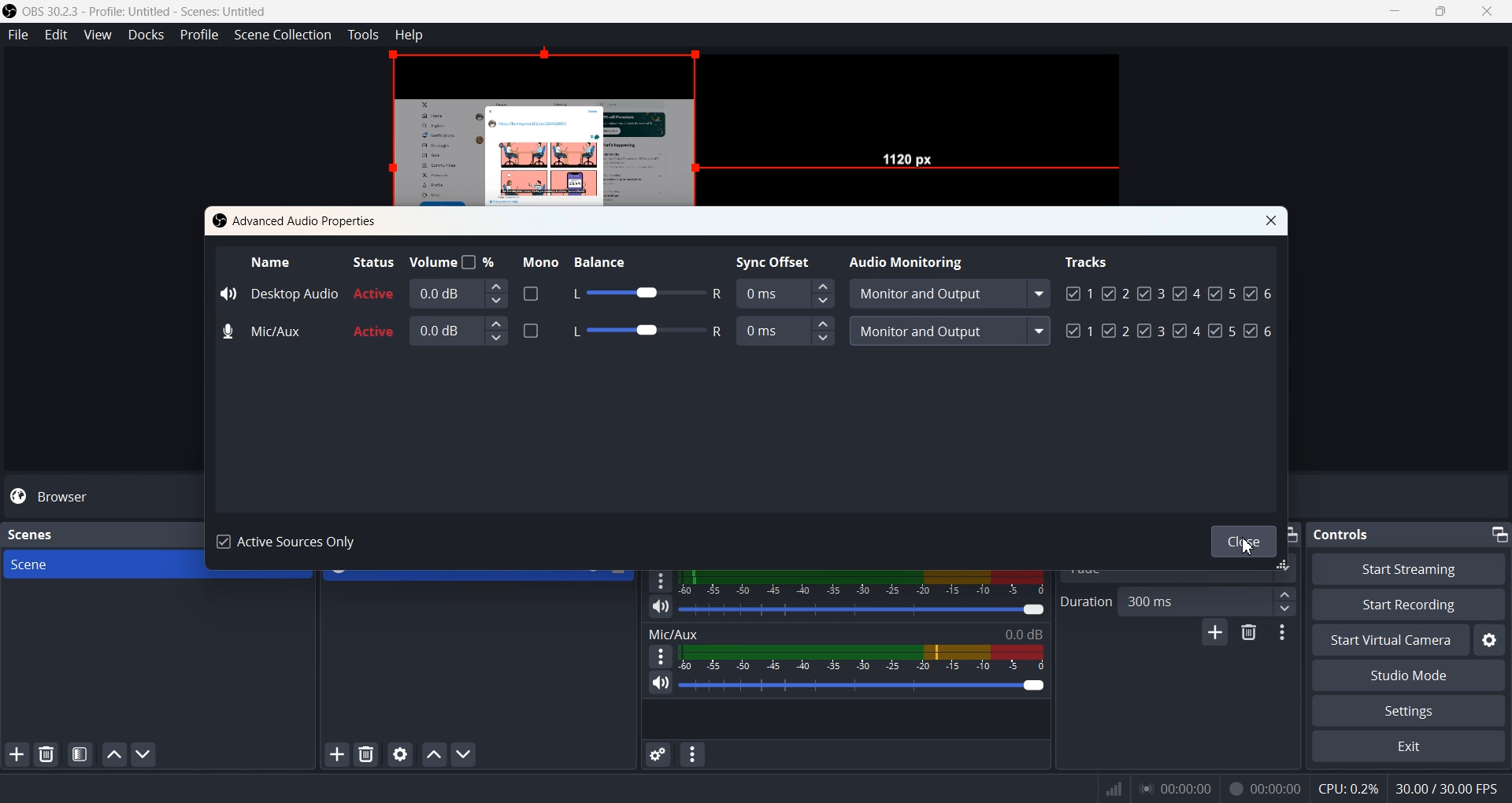 The width and height of the screenshot is (1512, 803). I want to click on Mute / Unmute, so click(661, 683).